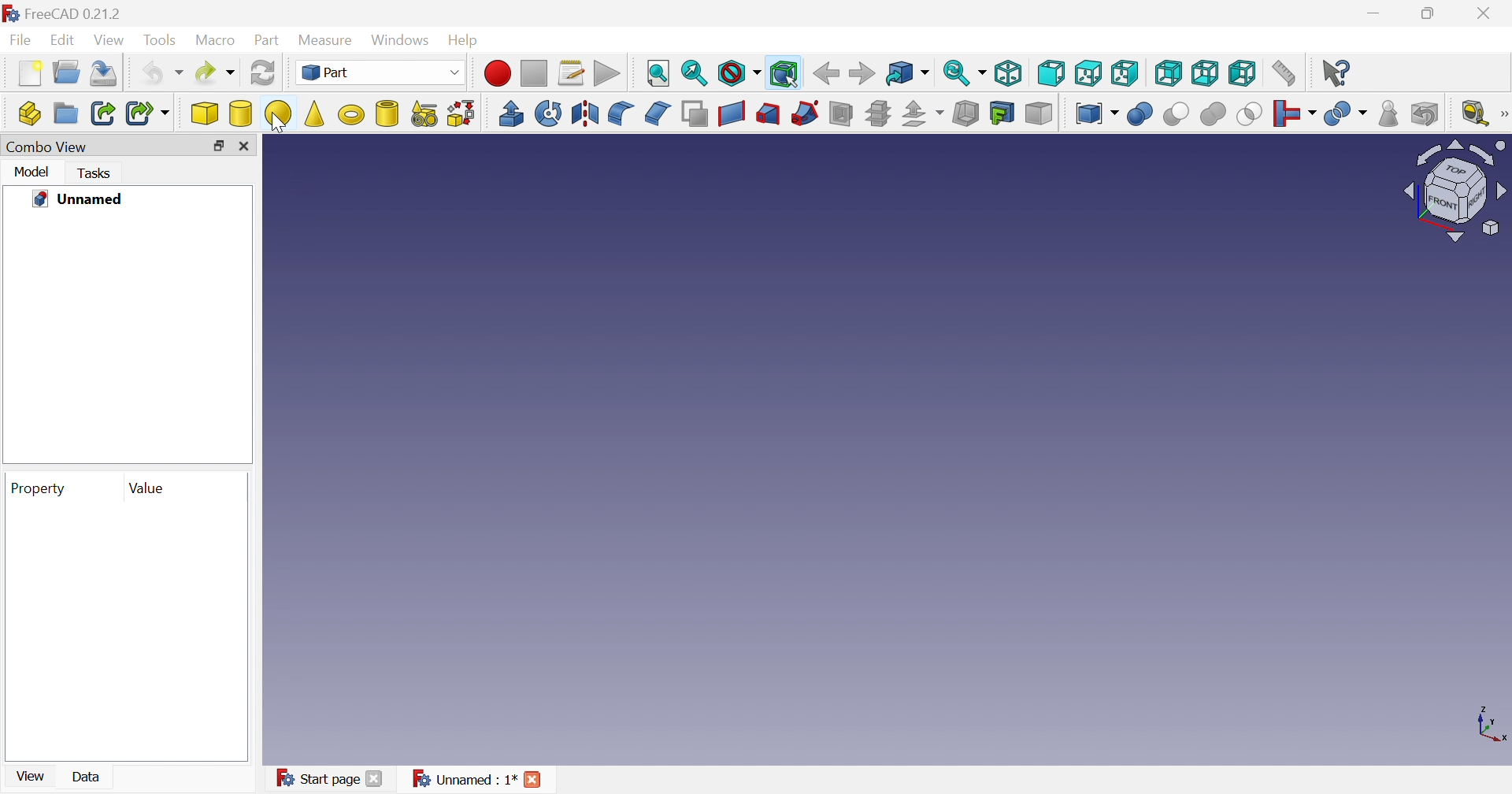  Describe the element at coordinates (1388, 114) in the screenshot. I see `Check geometry` at that location.